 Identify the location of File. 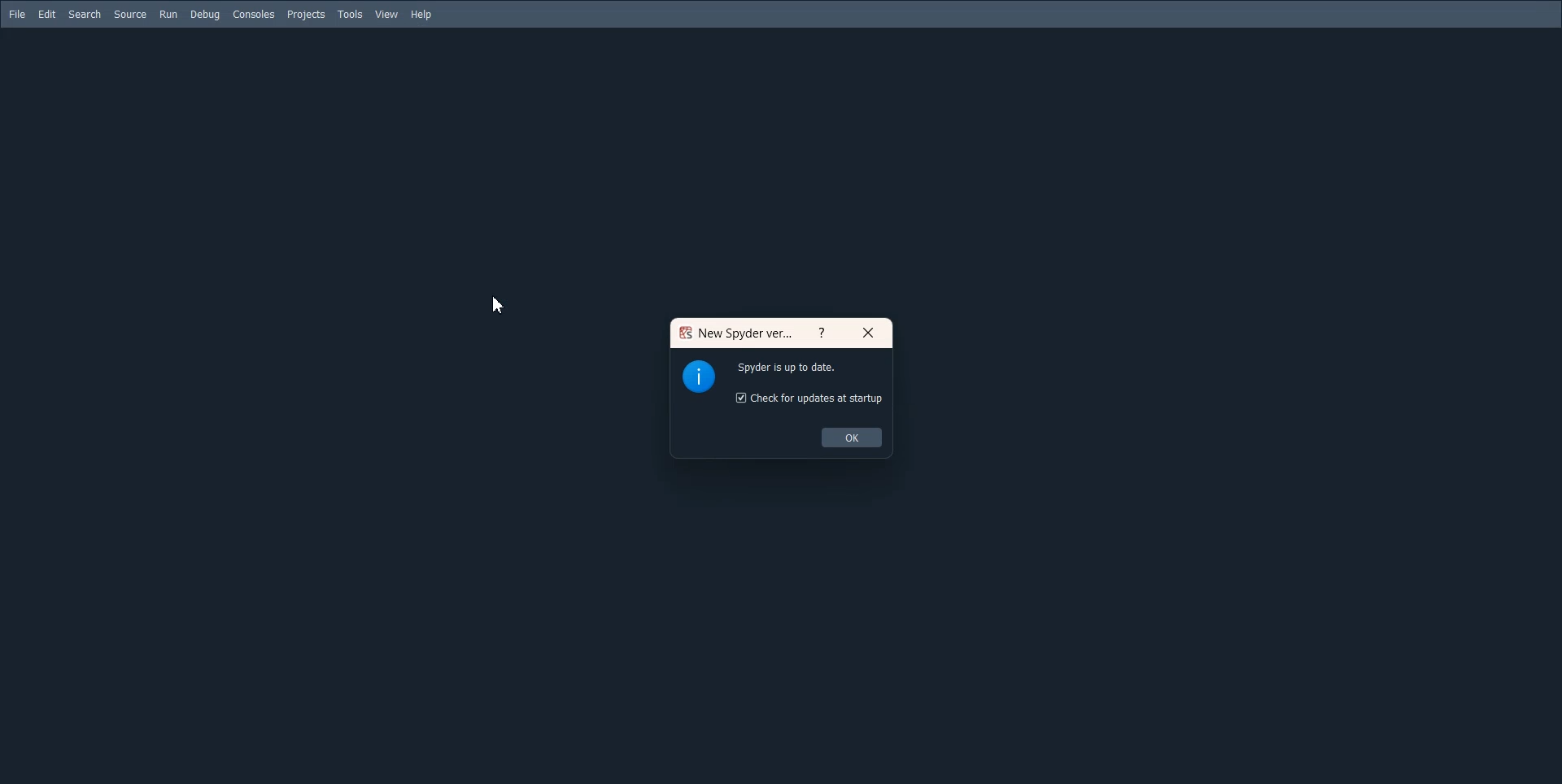
(15, 15).